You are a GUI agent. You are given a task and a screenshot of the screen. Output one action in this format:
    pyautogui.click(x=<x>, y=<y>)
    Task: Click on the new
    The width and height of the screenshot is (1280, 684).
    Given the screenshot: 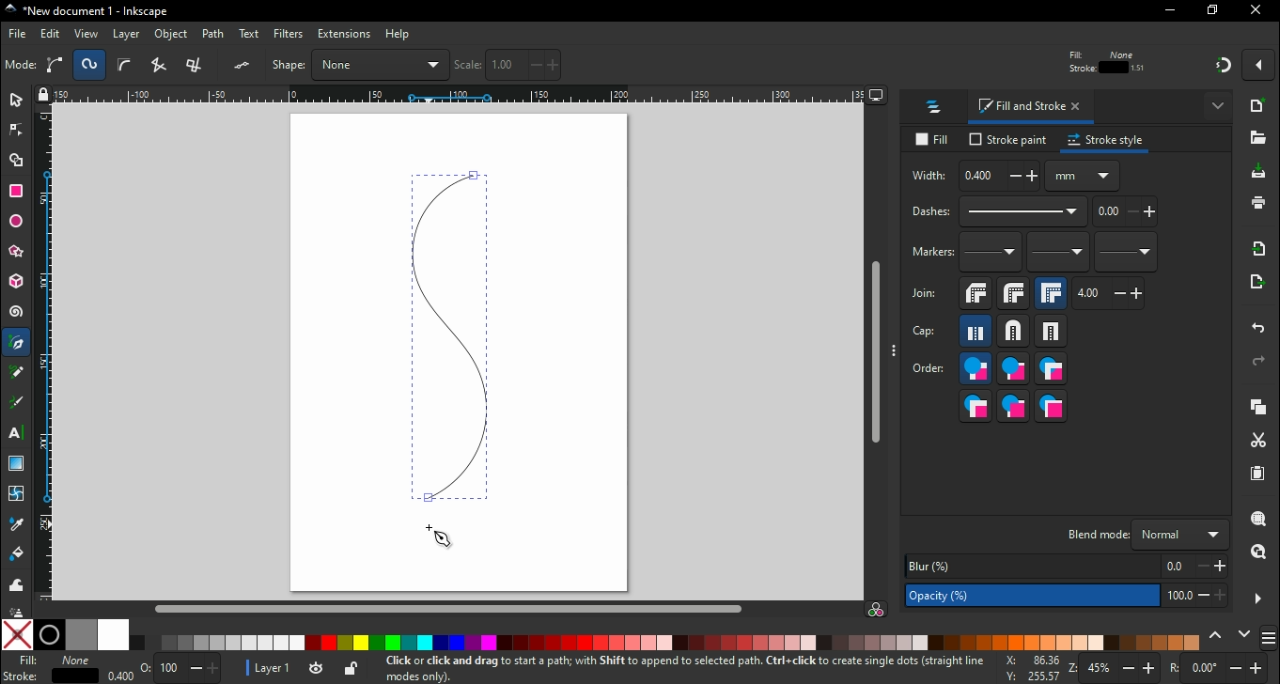 What is the action you would take?
    pyautogui.click(x=1261, y=109)
    